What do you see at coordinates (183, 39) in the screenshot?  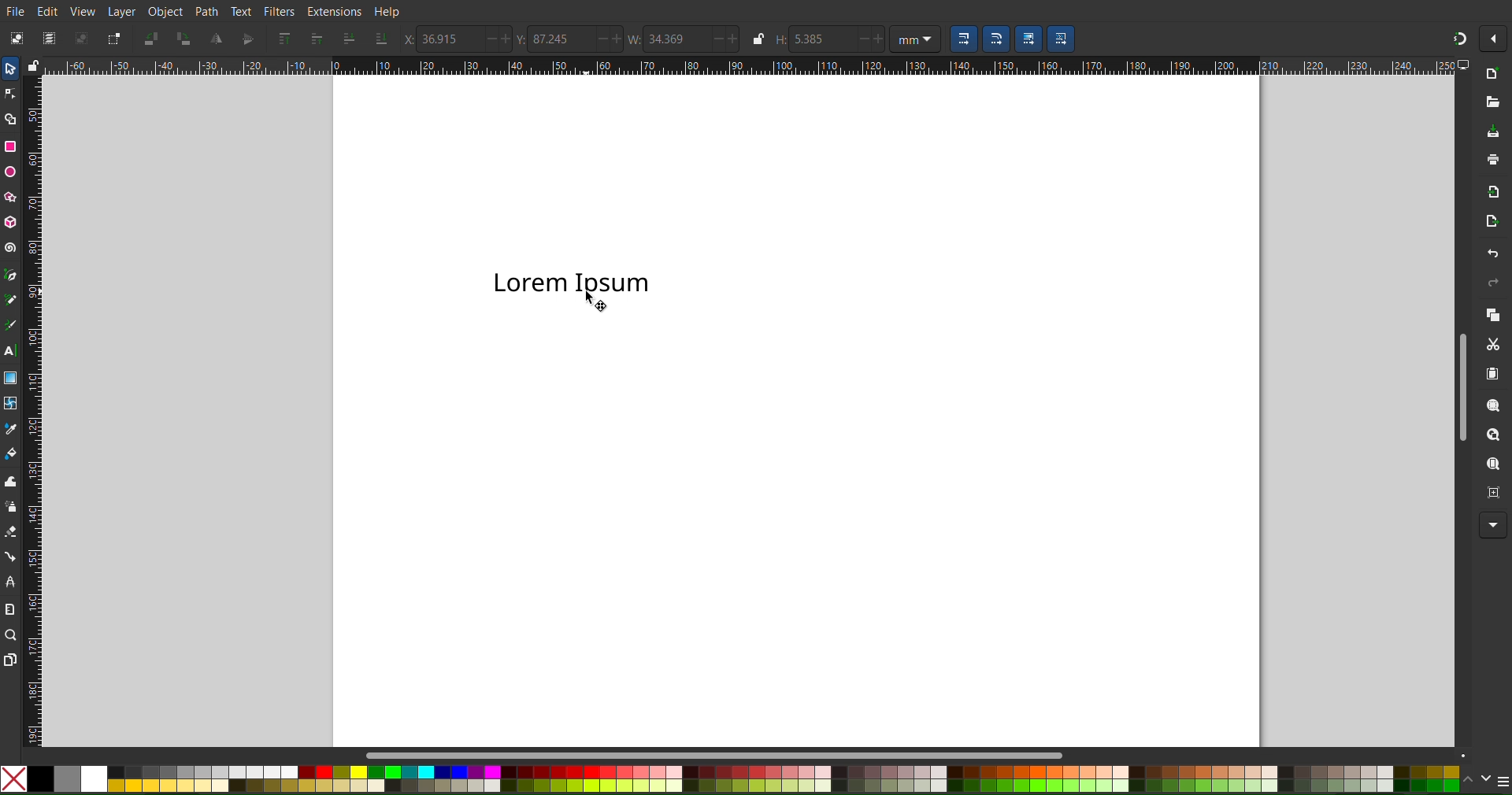 I see `Rotate CW` at bounding box center [183, 39].